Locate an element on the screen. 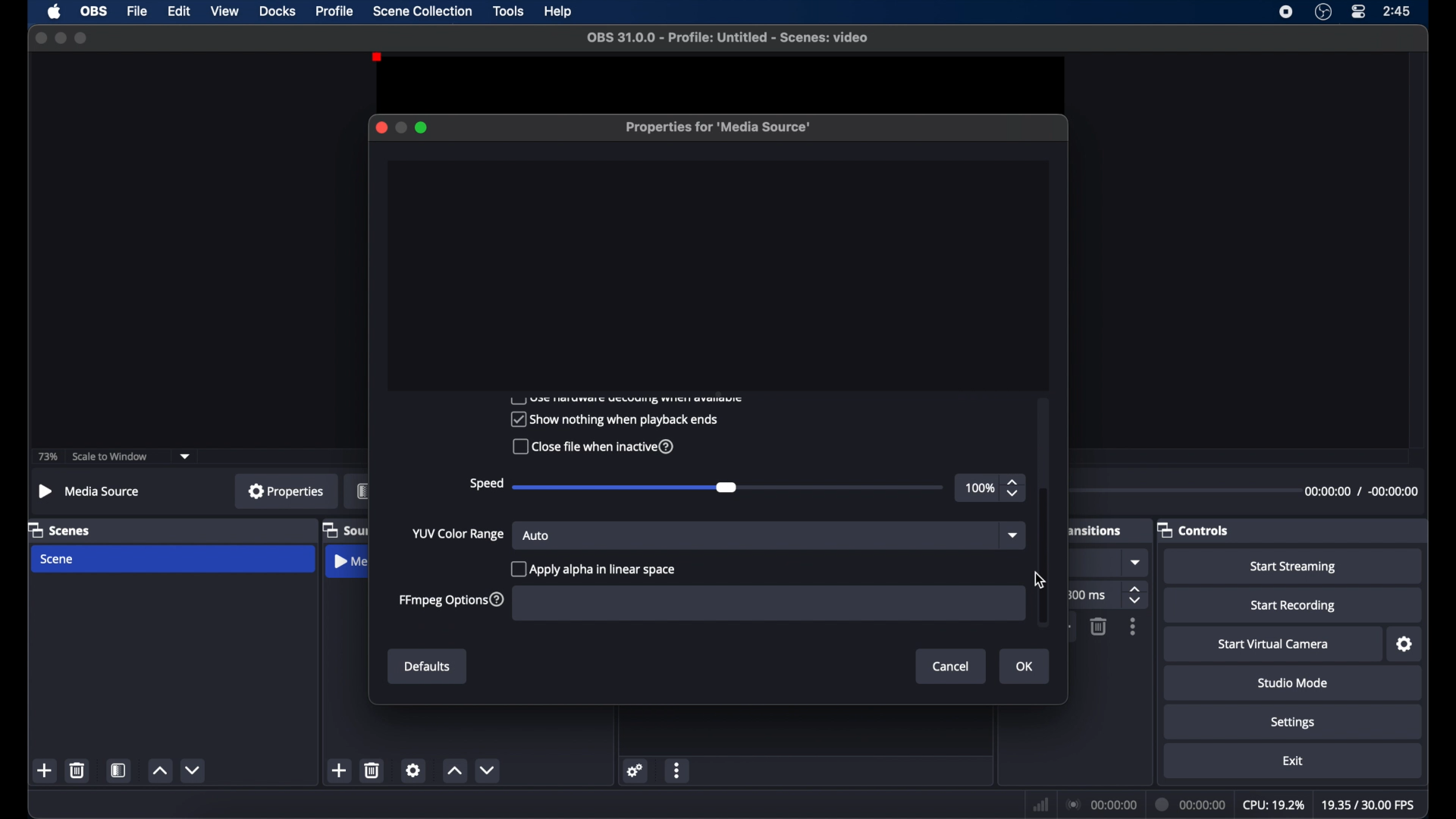  minimize is located at coordinates (60, 37).